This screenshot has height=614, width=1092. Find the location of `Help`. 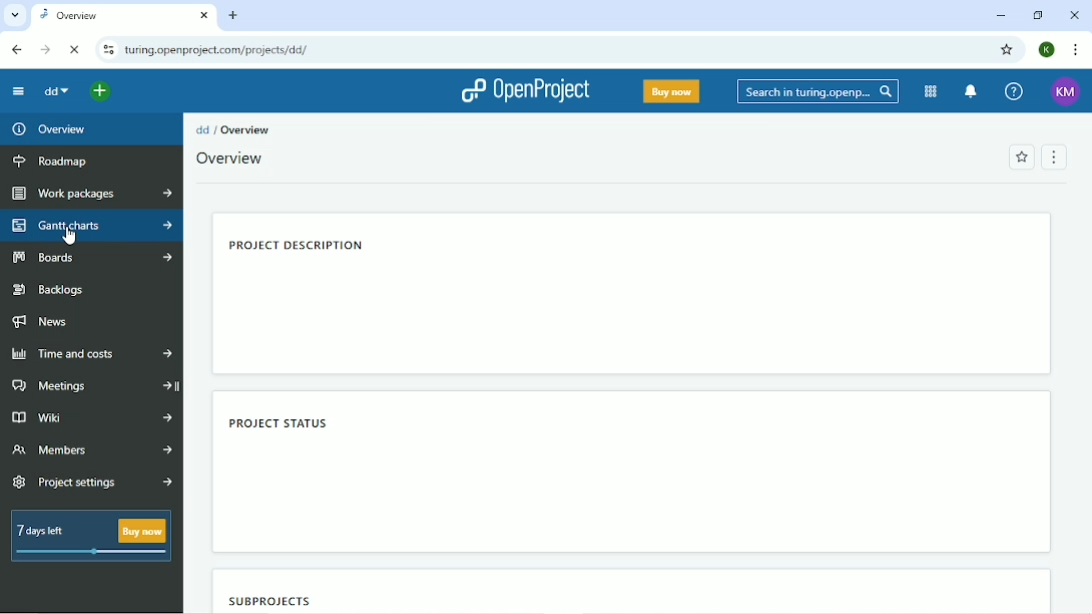

Help is located at coordinates (1015, 91).